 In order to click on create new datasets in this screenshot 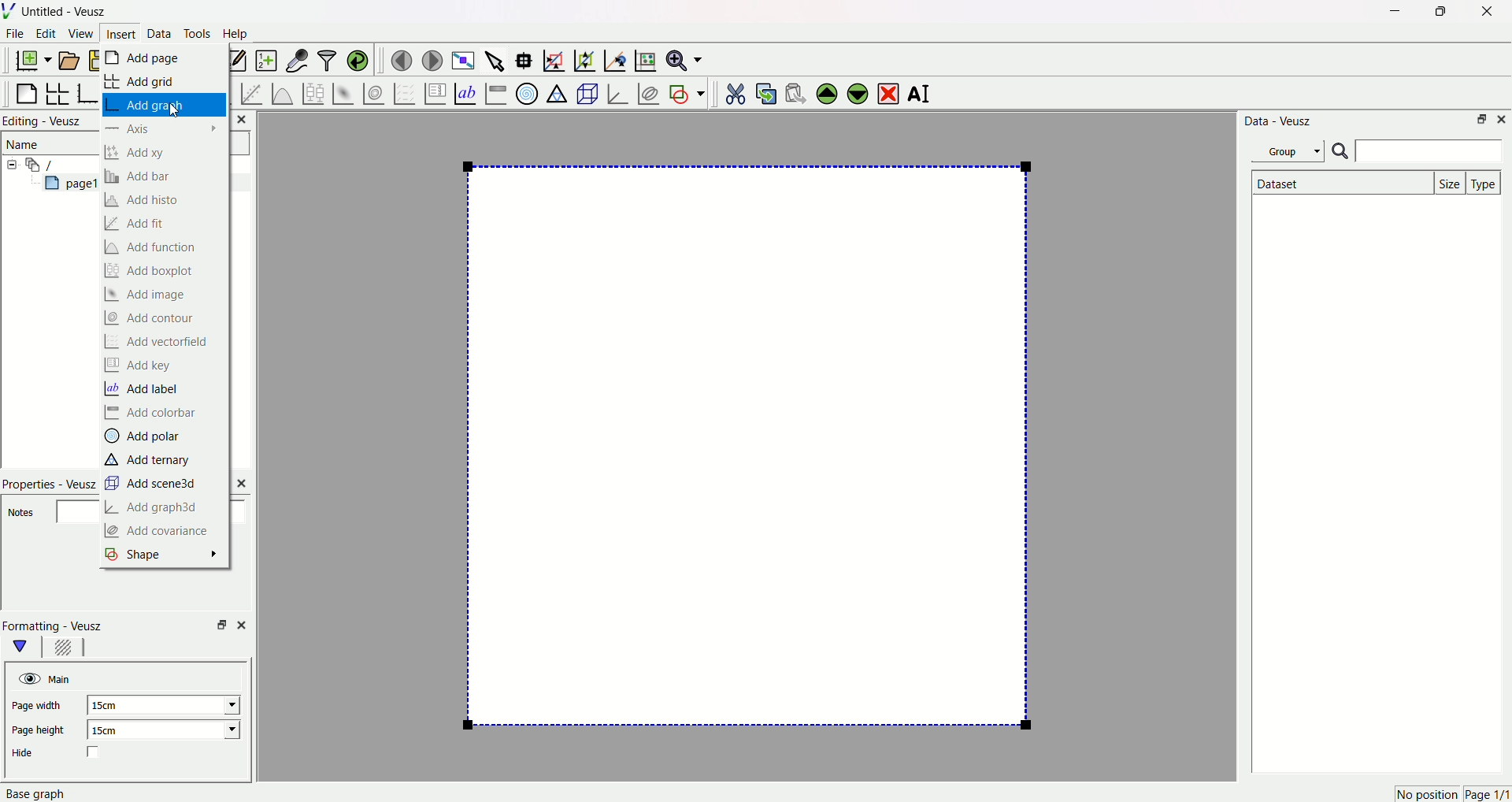, I will do `click(265, 61)`.